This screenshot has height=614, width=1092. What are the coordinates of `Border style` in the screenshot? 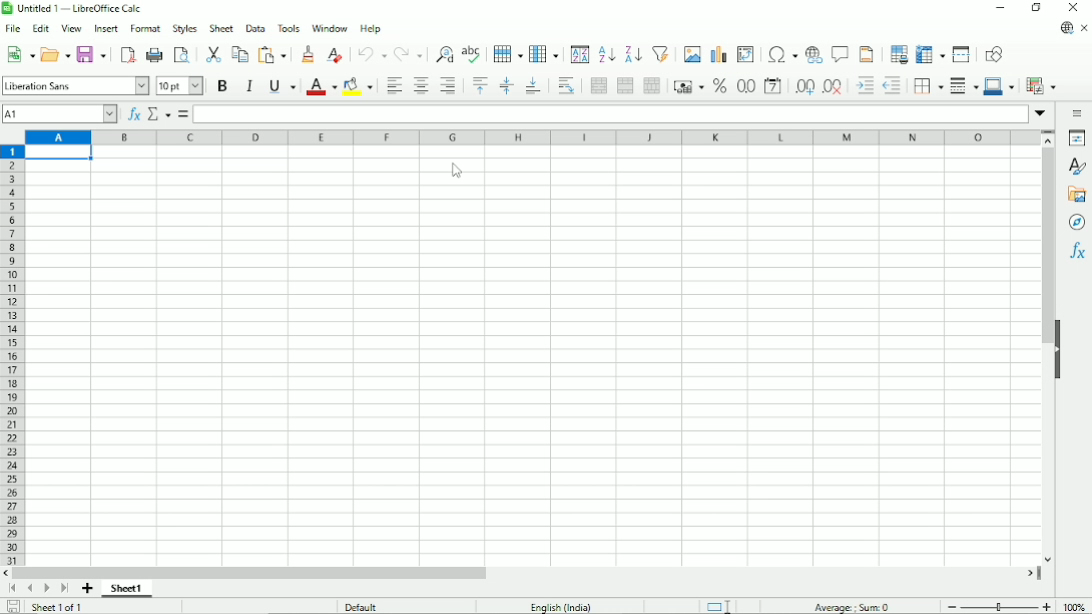 It's located at (964, 87).